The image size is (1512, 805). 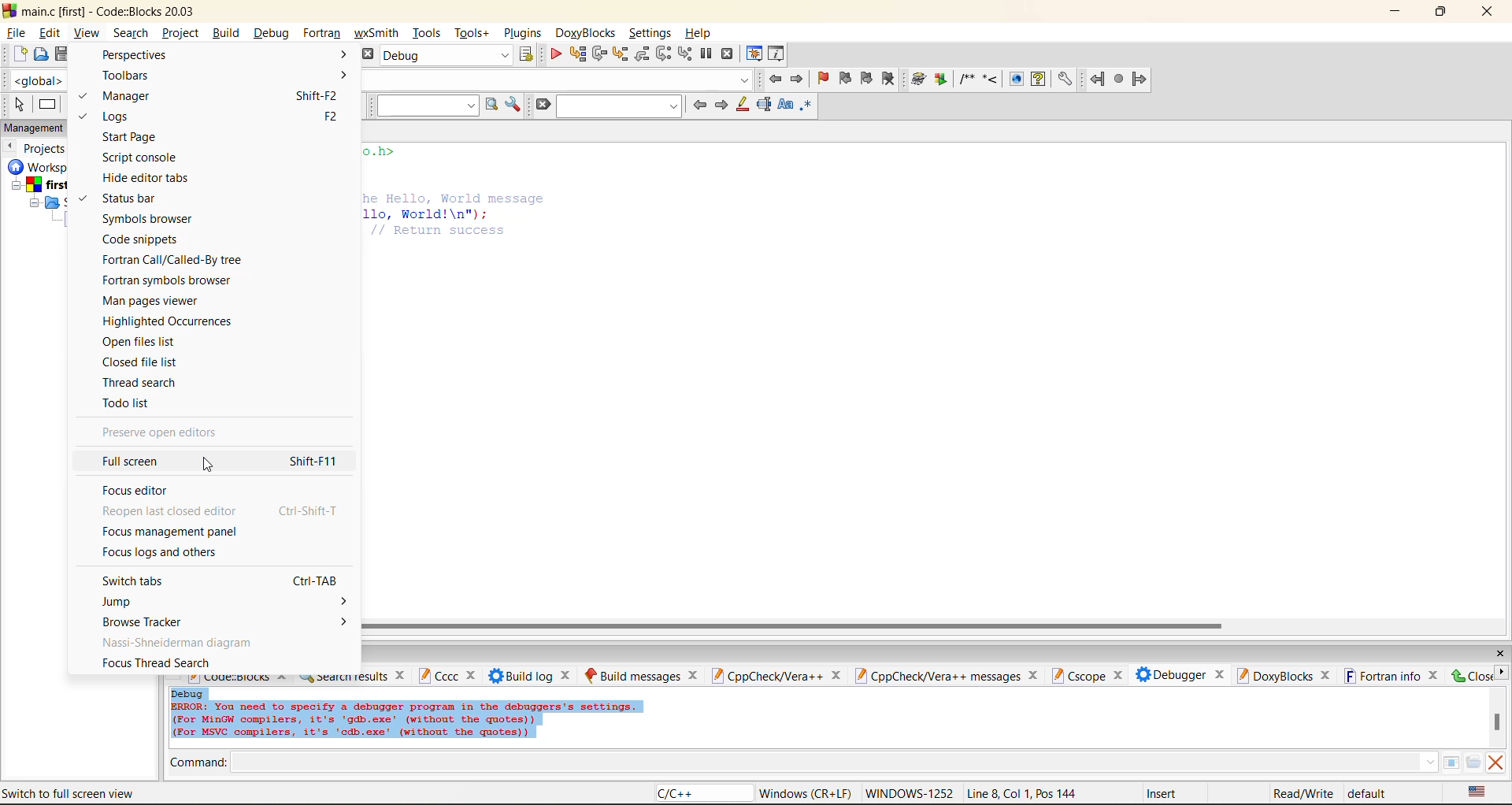 I want to click on previous, so click(x=701, y=104).